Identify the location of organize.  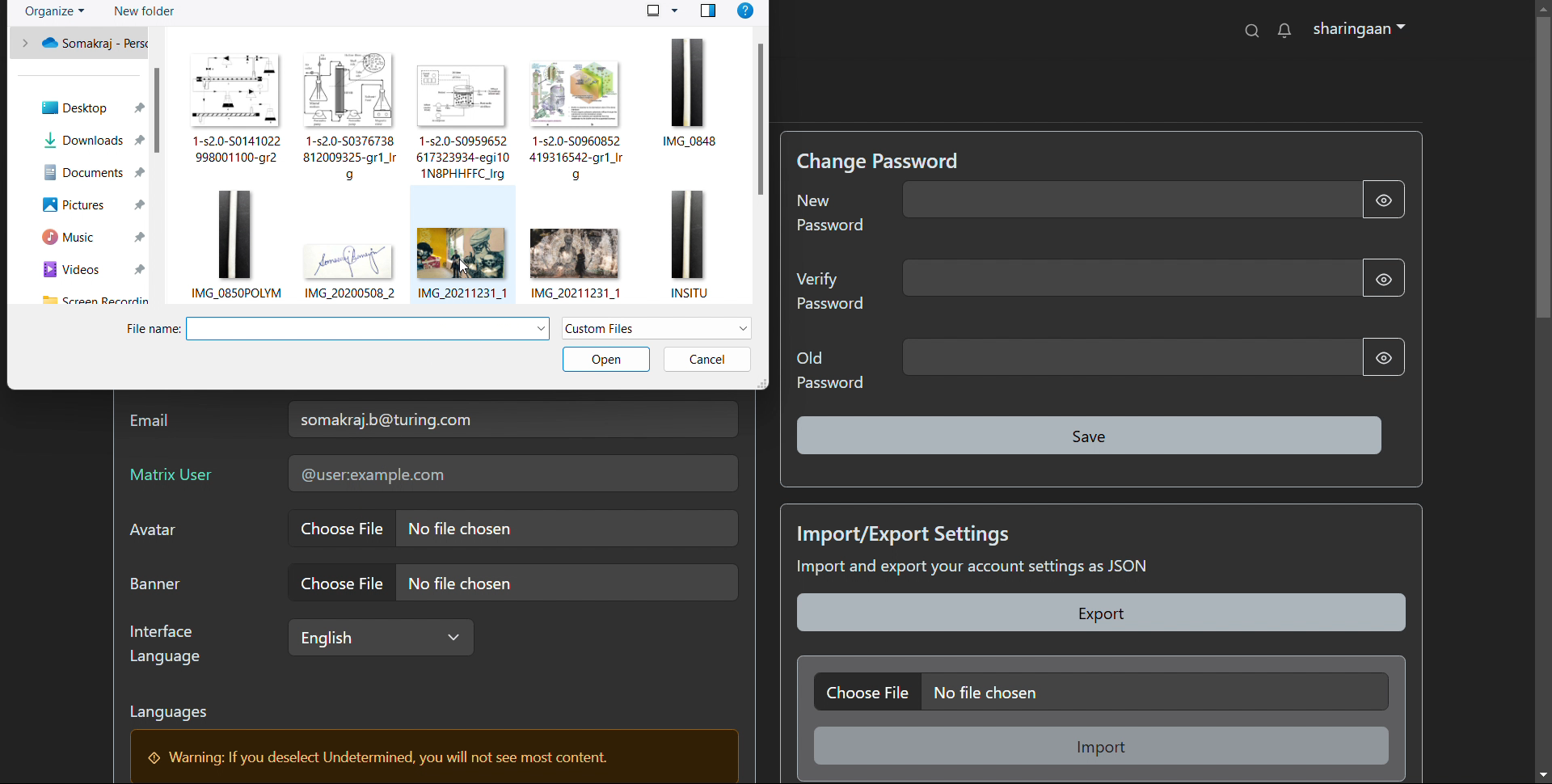
(55, 12).